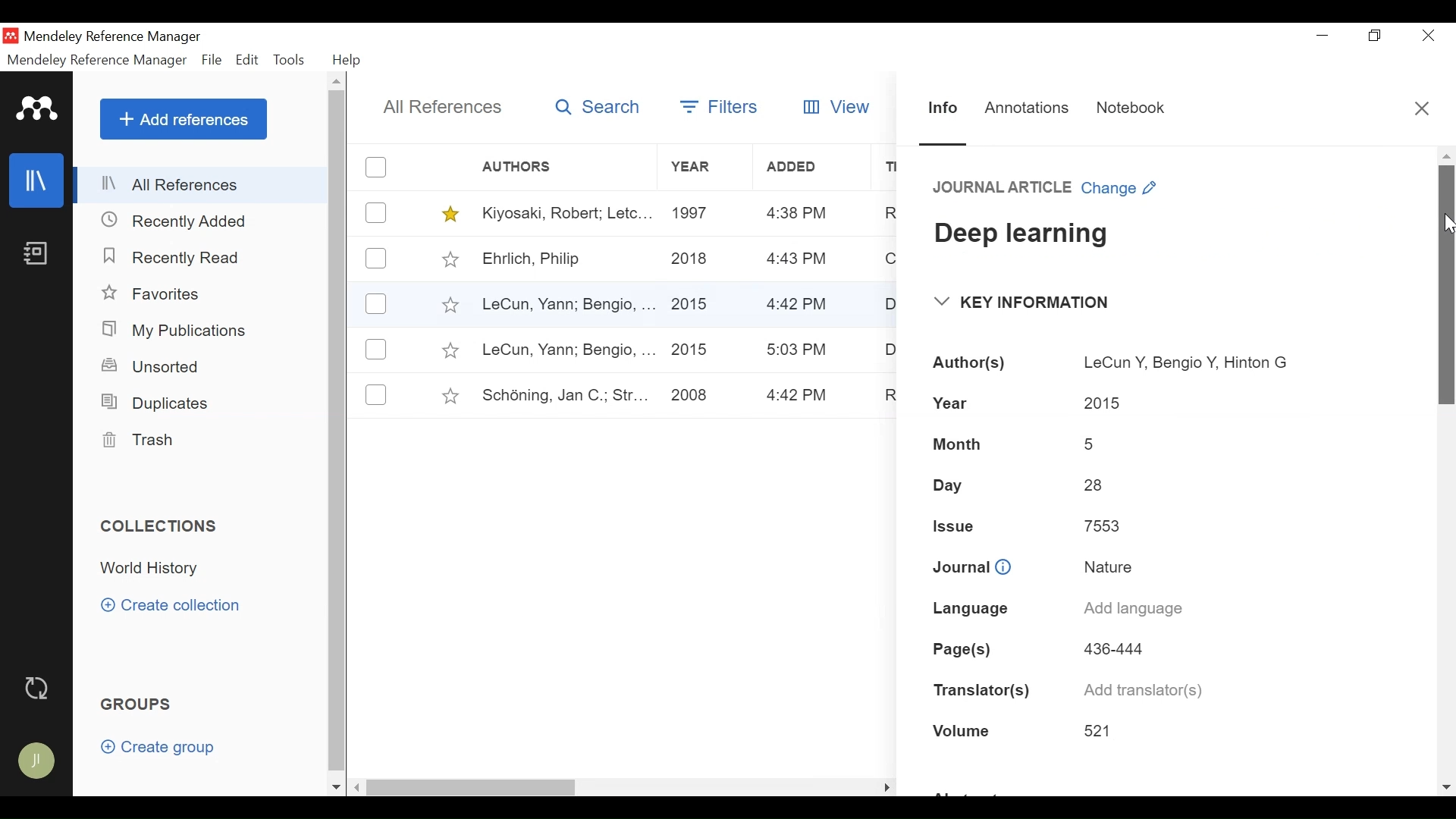  What do you see at coordinates (971, 363) in the screenshot?
I see `Author(s)` at bounding box center [971, 363].